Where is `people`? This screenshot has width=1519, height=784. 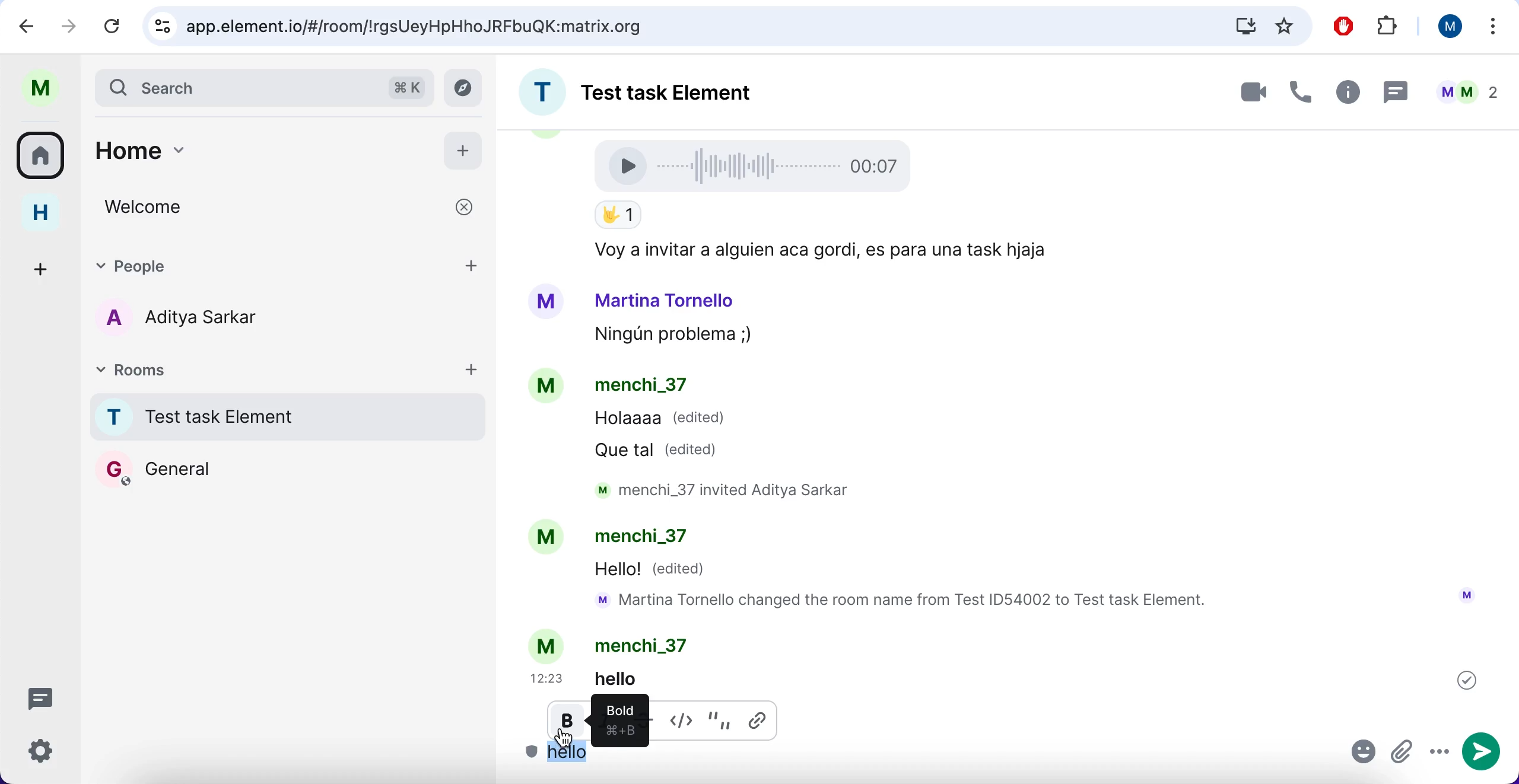
people is located at coordinates (253, 264).